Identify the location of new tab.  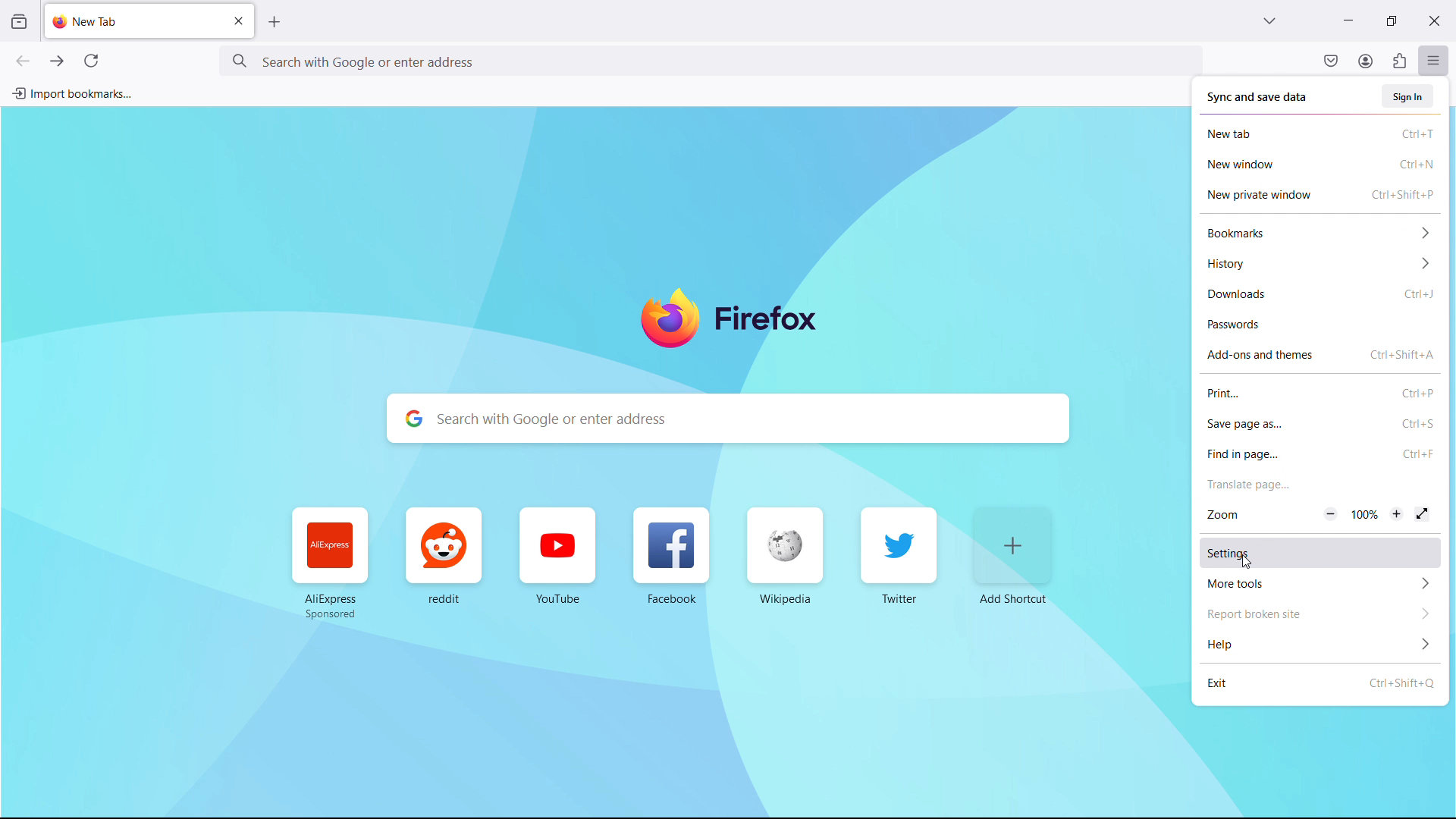
(1321, 133).